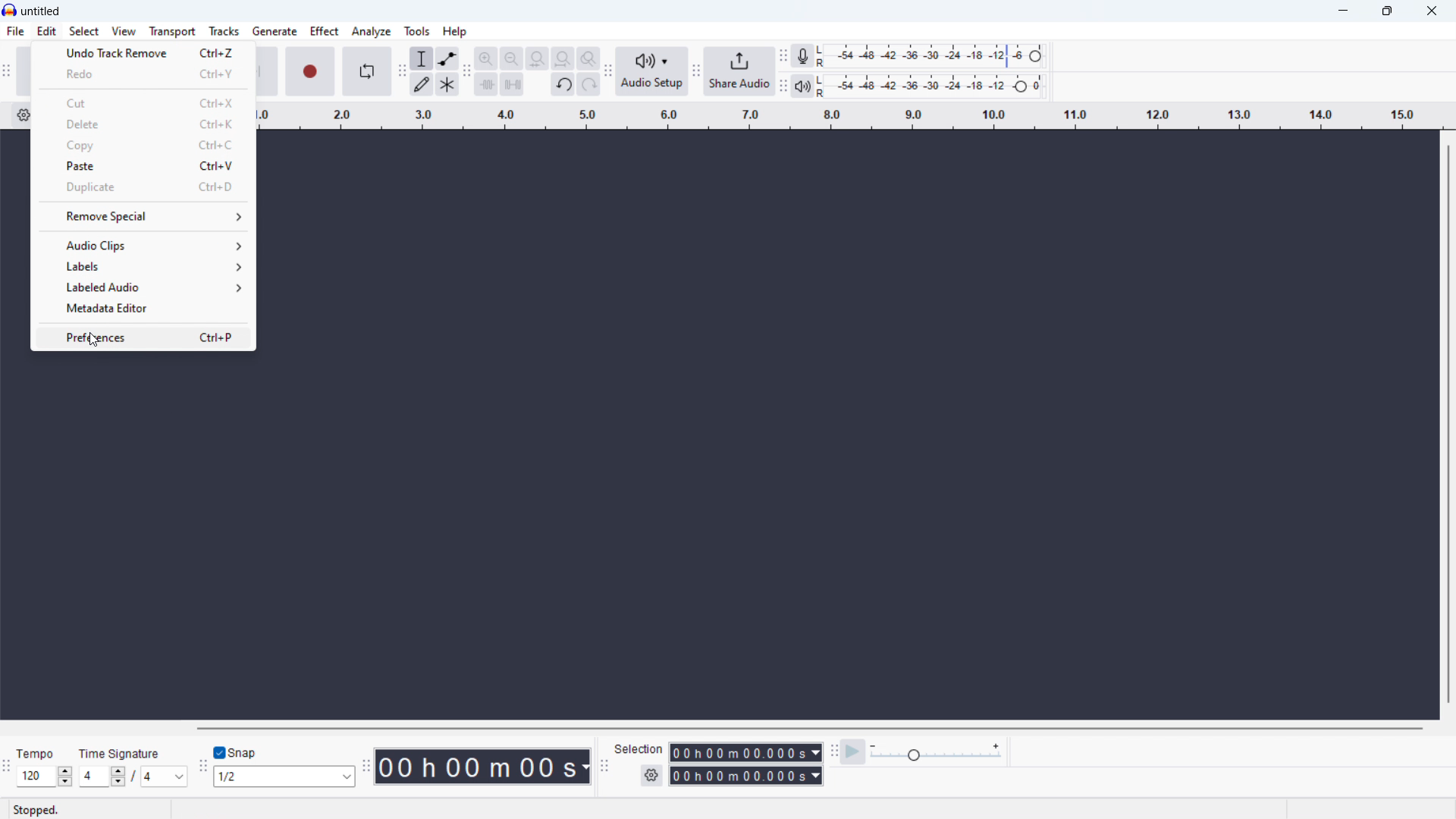 Image resolution: width=1456 pixels, height=819 pixels. What do you see at coordinates (311, 72) in the screenshot?
I see `record` at bounding box center [311, 72].